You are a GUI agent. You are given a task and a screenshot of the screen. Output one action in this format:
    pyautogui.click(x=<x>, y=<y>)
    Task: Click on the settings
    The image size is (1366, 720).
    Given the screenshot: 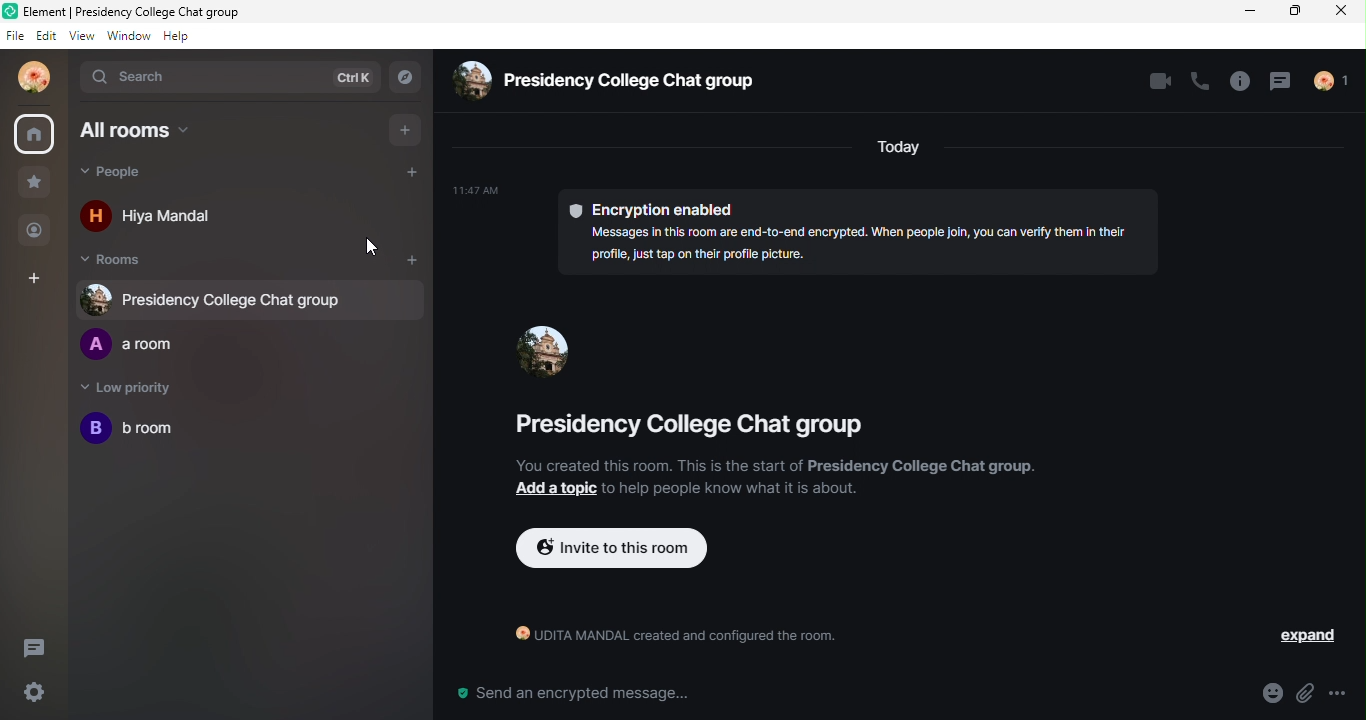 What is the action you would take?
    pyautogui.click(x=31, y=693)
    